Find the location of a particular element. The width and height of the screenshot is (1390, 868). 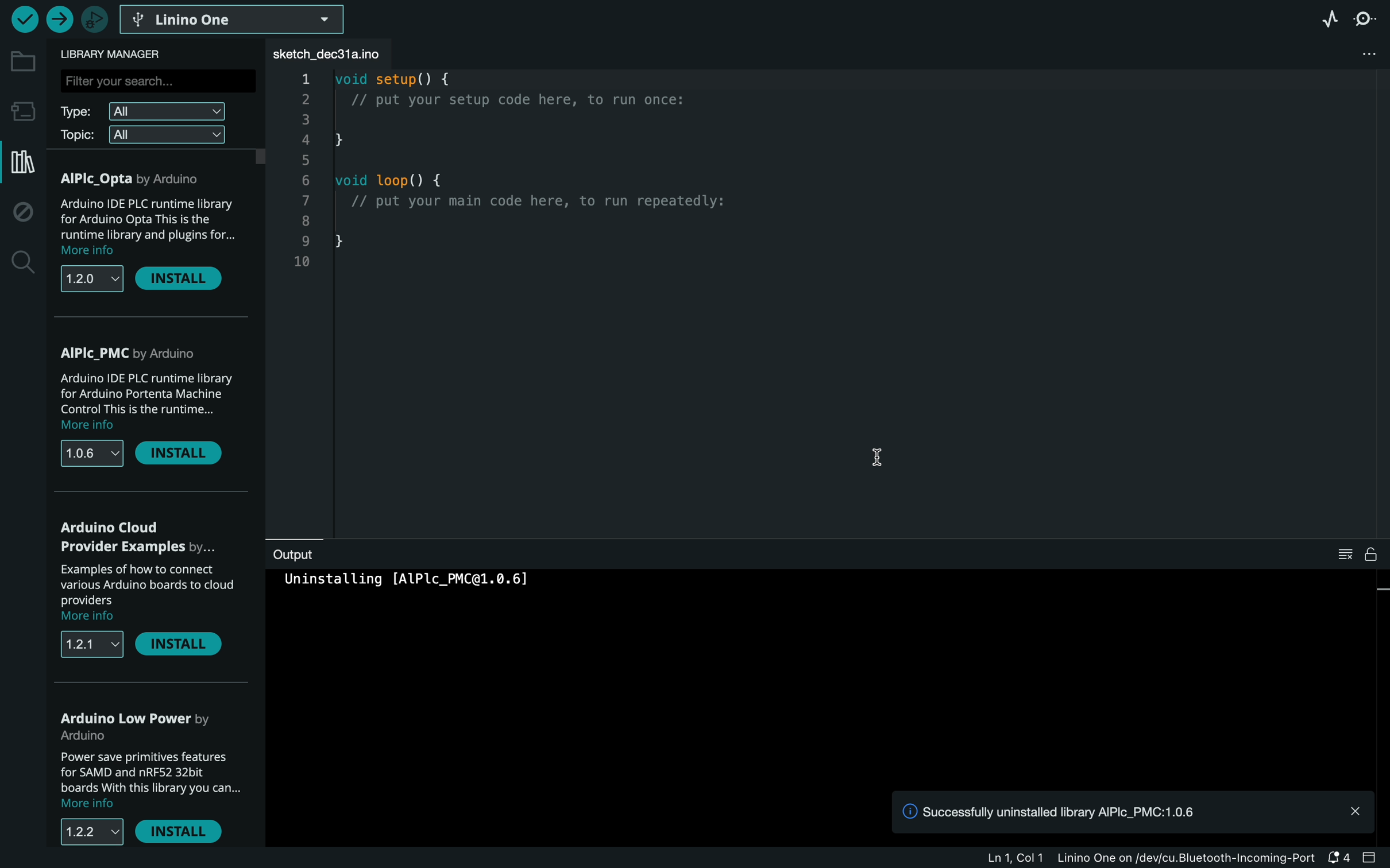

arduino cloud is located at coordinates (144, 534).